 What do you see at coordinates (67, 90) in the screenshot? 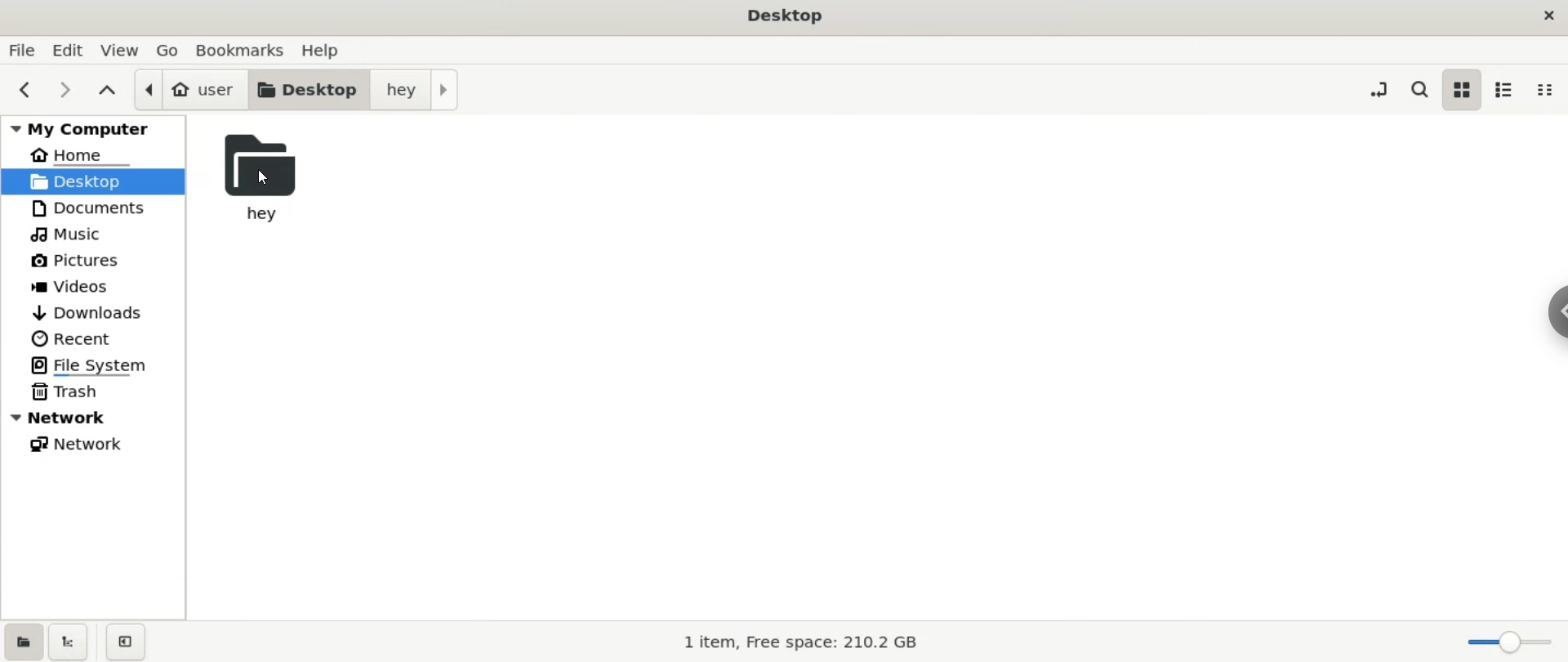
I see `next` at bounding box center [67, 90].